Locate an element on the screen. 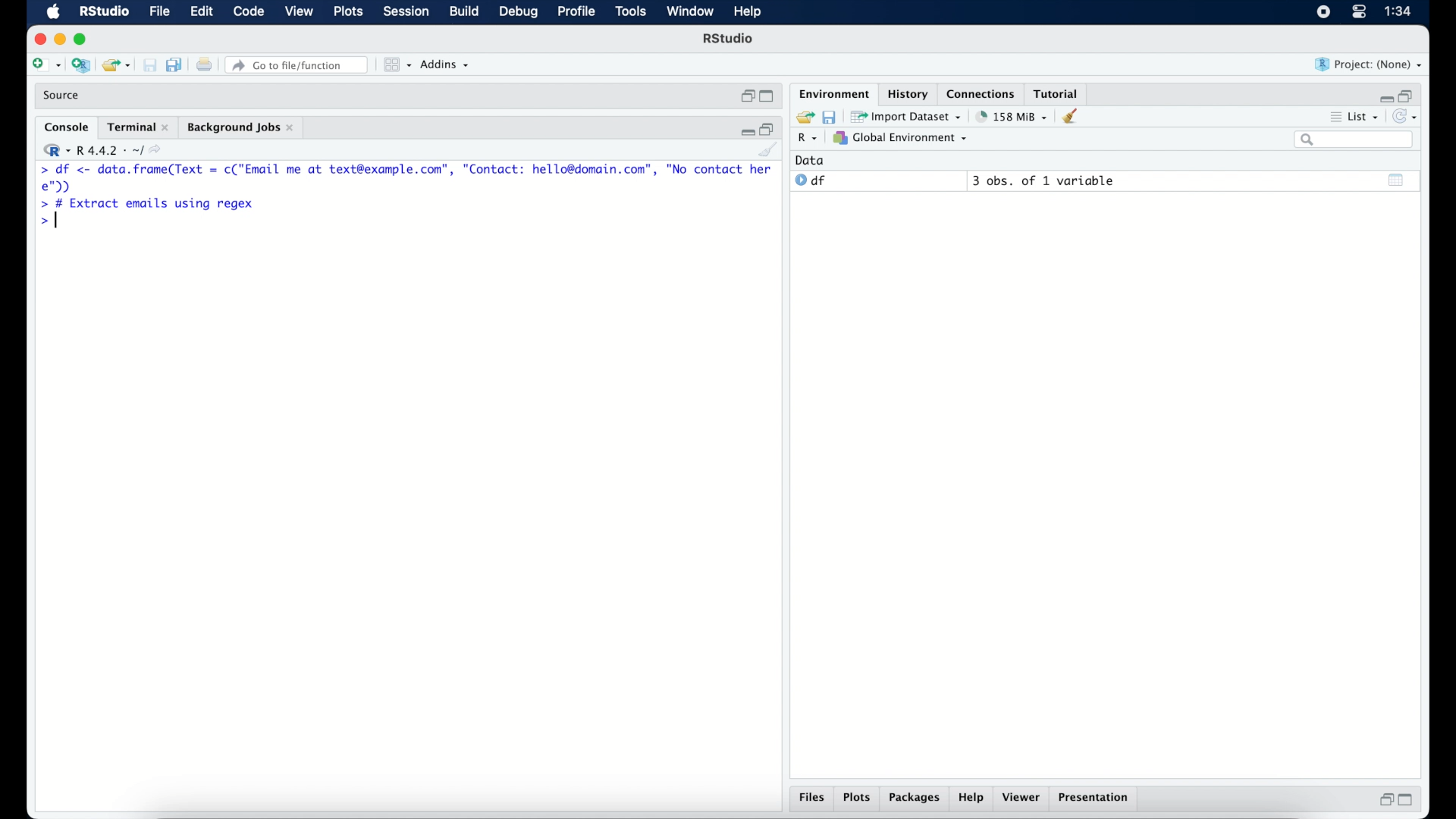 This screenshot has width=1456, height=819. console is located at coordinates (64, 126).